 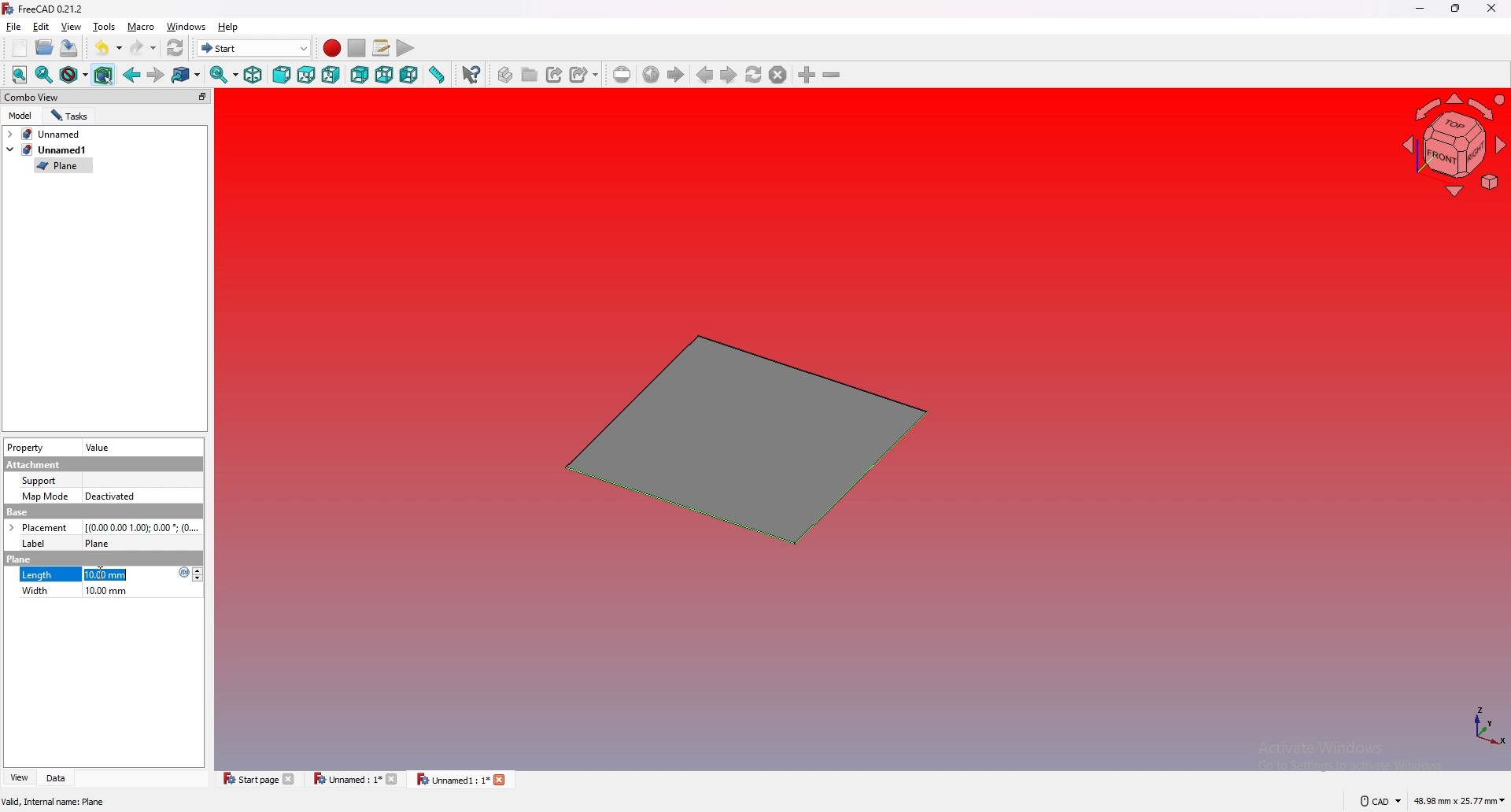 What do you see at coordinates (360, 76) in the screenshot?
I see `rear` at bounding box center [360, 76].